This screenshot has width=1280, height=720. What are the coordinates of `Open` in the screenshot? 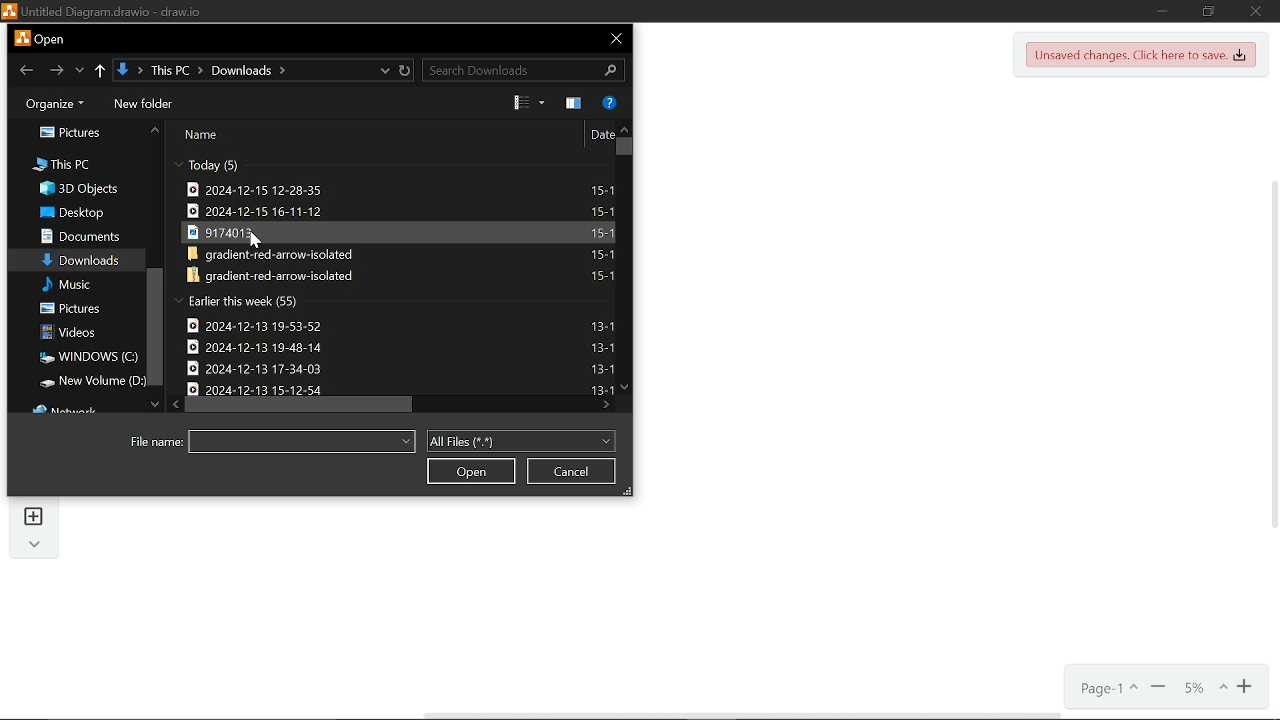 It's located at (470, 471).